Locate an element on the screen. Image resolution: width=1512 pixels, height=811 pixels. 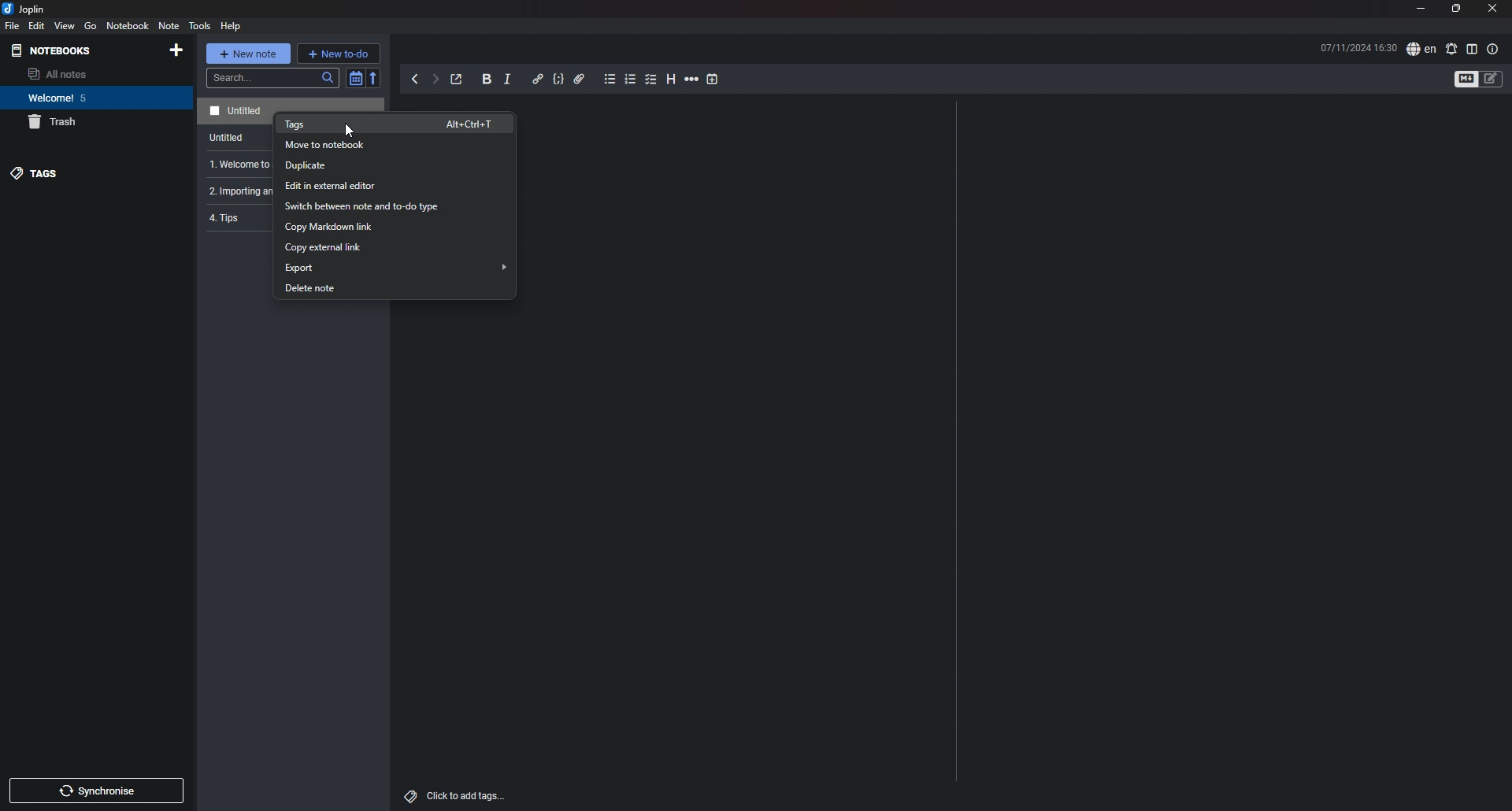
hyperlink is located at coordinates (537, 78).